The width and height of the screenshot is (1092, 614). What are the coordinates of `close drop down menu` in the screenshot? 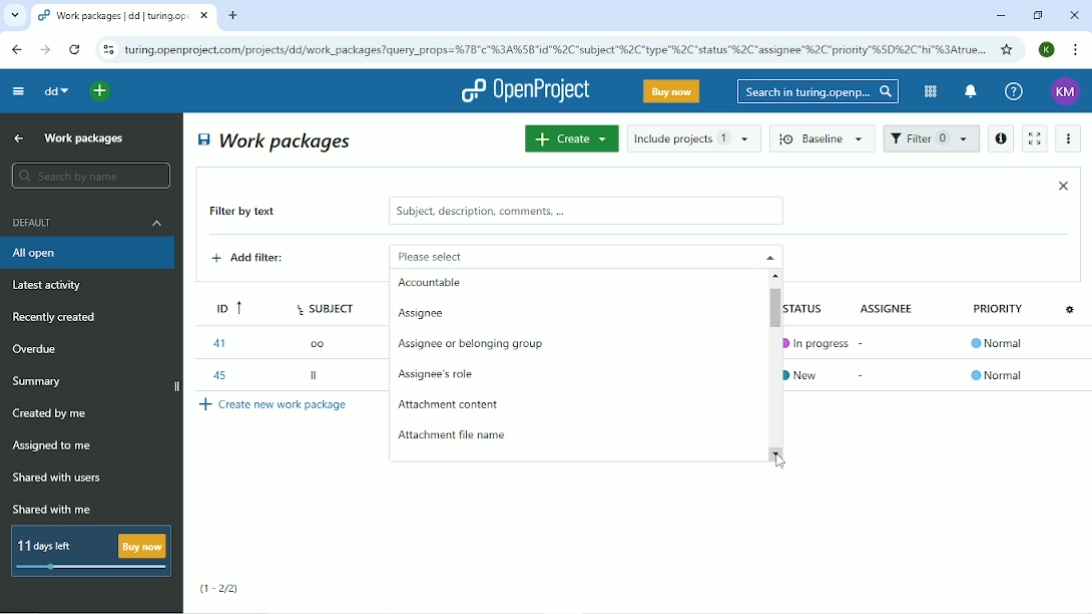 It's located at (768, 256).